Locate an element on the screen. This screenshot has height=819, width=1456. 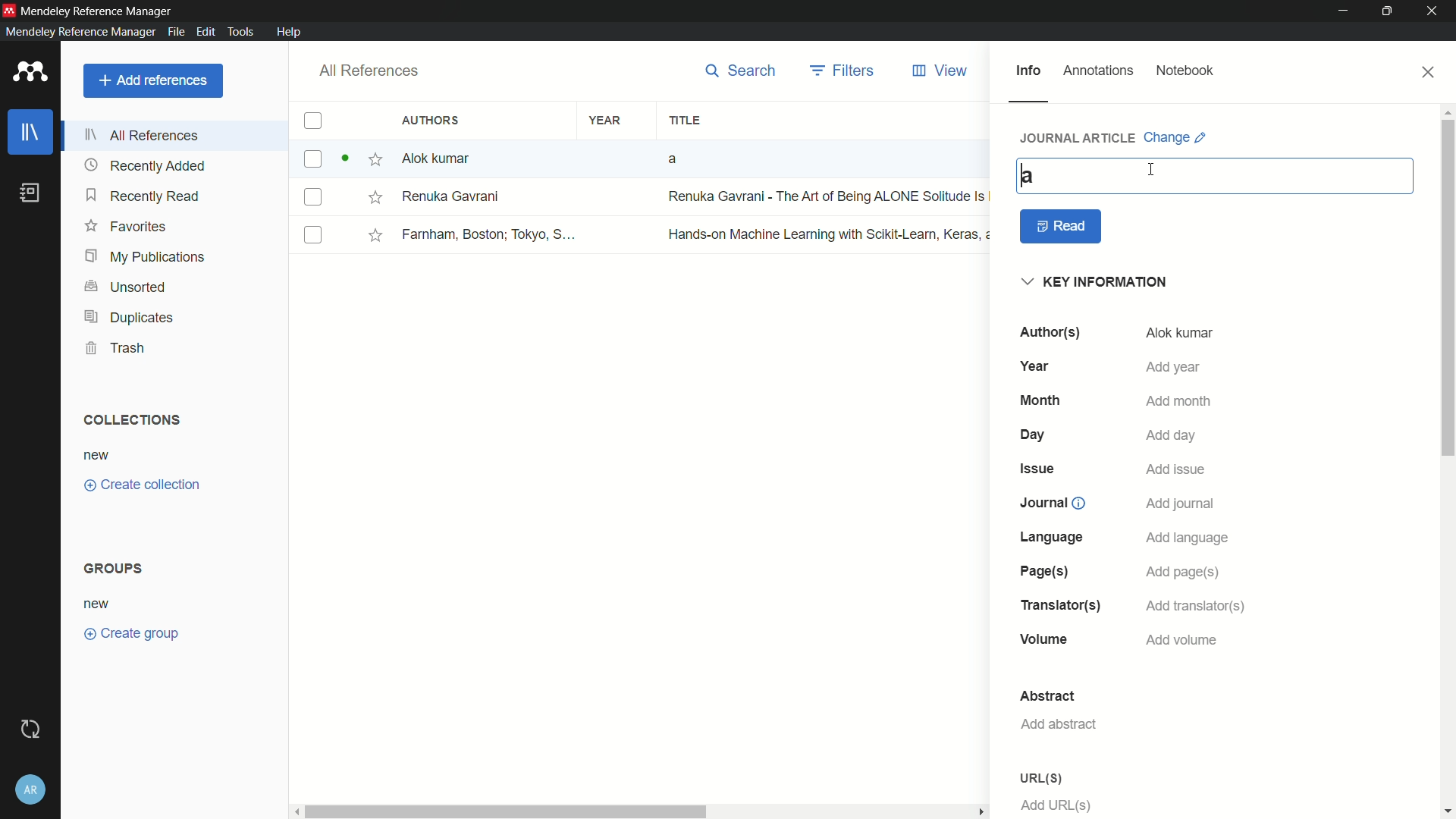
sync is located at coordinates (33, 730).